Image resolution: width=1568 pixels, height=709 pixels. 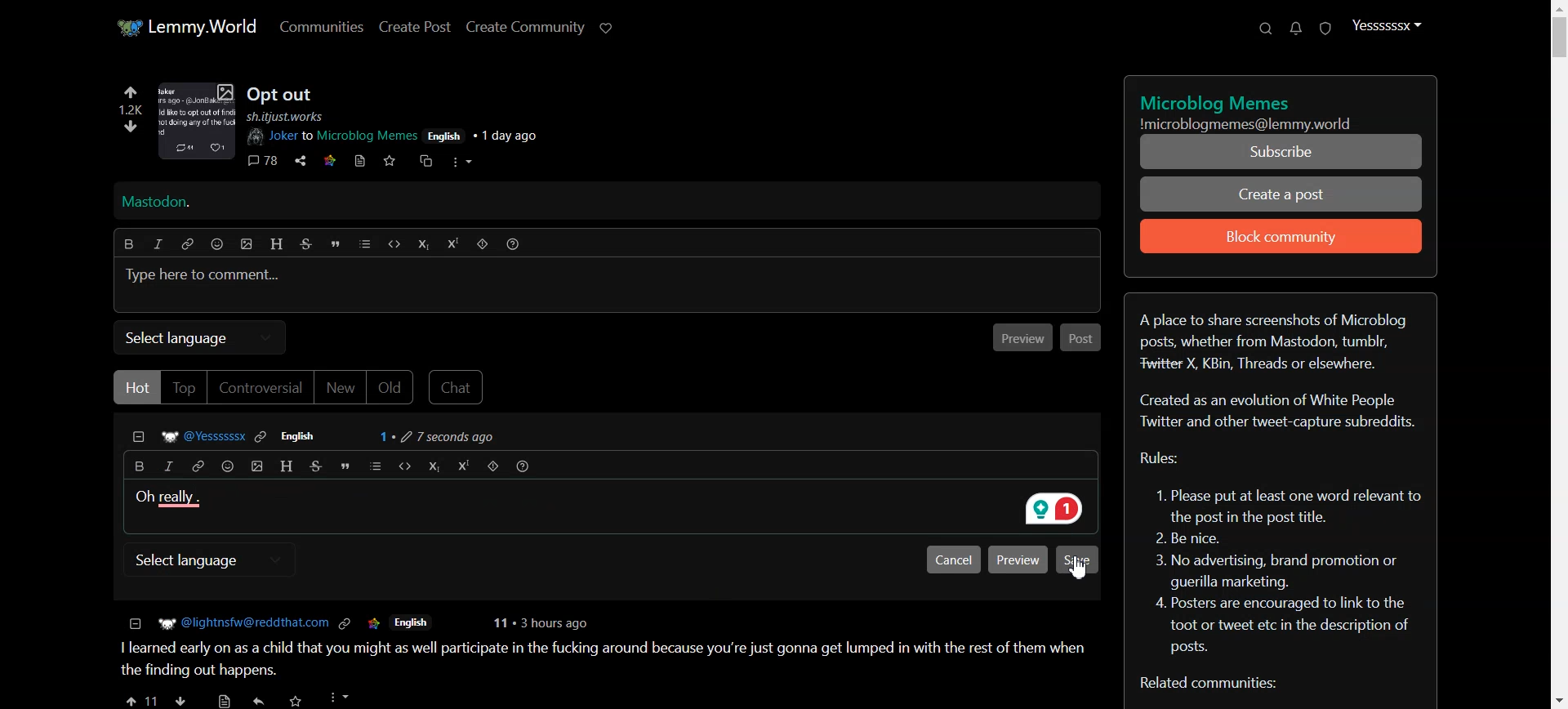 What do you see at coordinates (137, 466) in the screenshot?
I see `Bold ` at bounding box center [137, 466].